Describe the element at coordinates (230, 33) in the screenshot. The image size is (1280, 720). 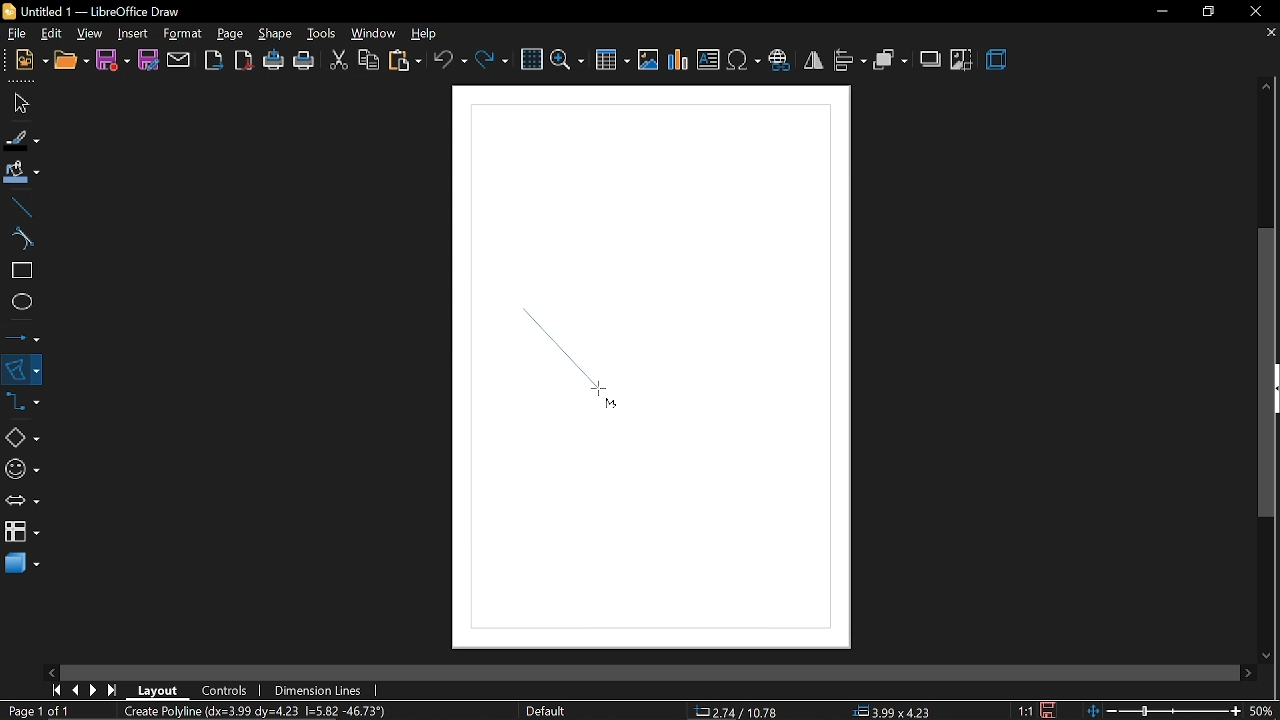
I see `page` at that location.